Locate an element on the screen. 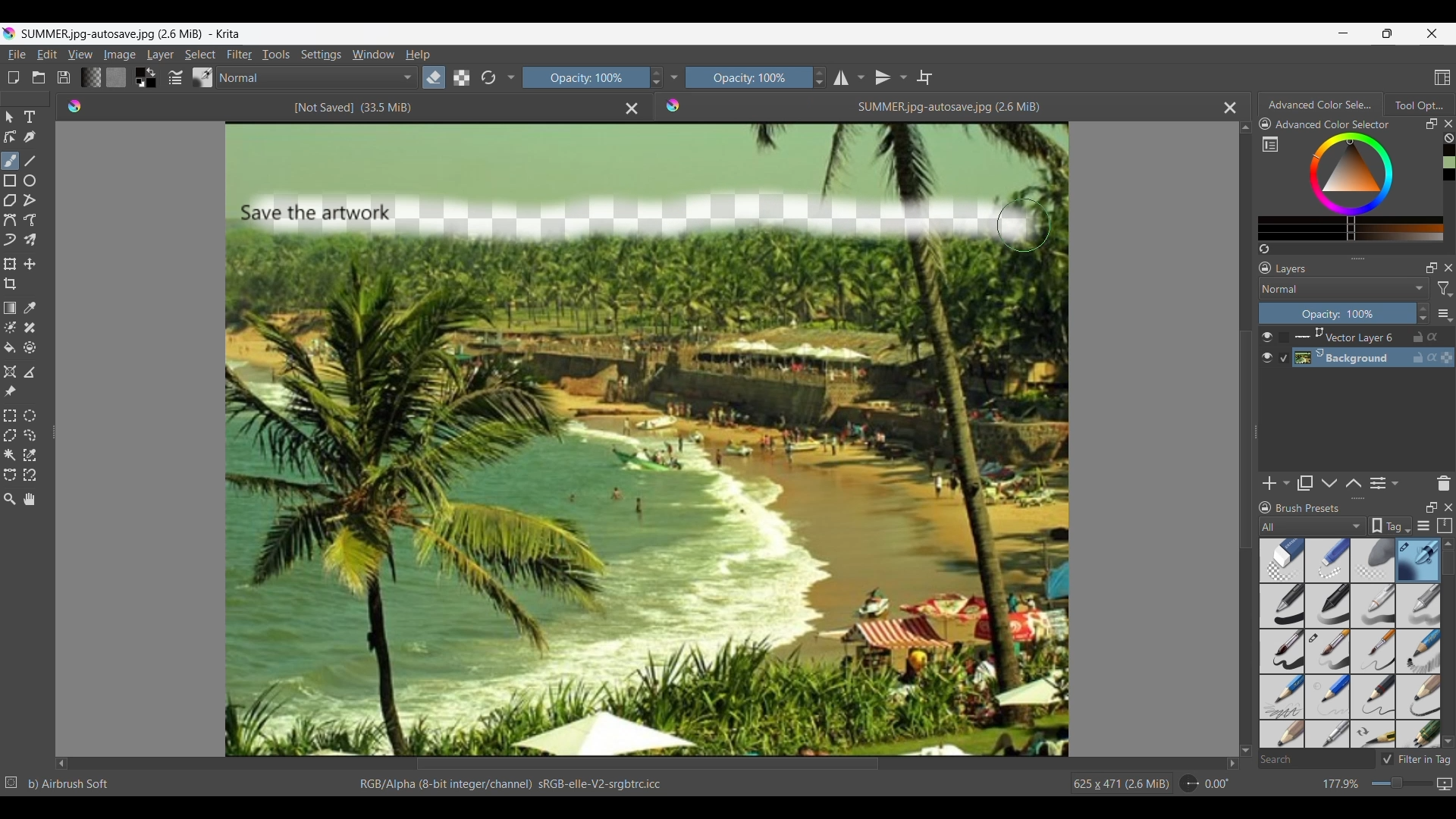 This screenshot has height=819, width=1456. Show complete color settings in separate window is located at coordinates (1270, 143).